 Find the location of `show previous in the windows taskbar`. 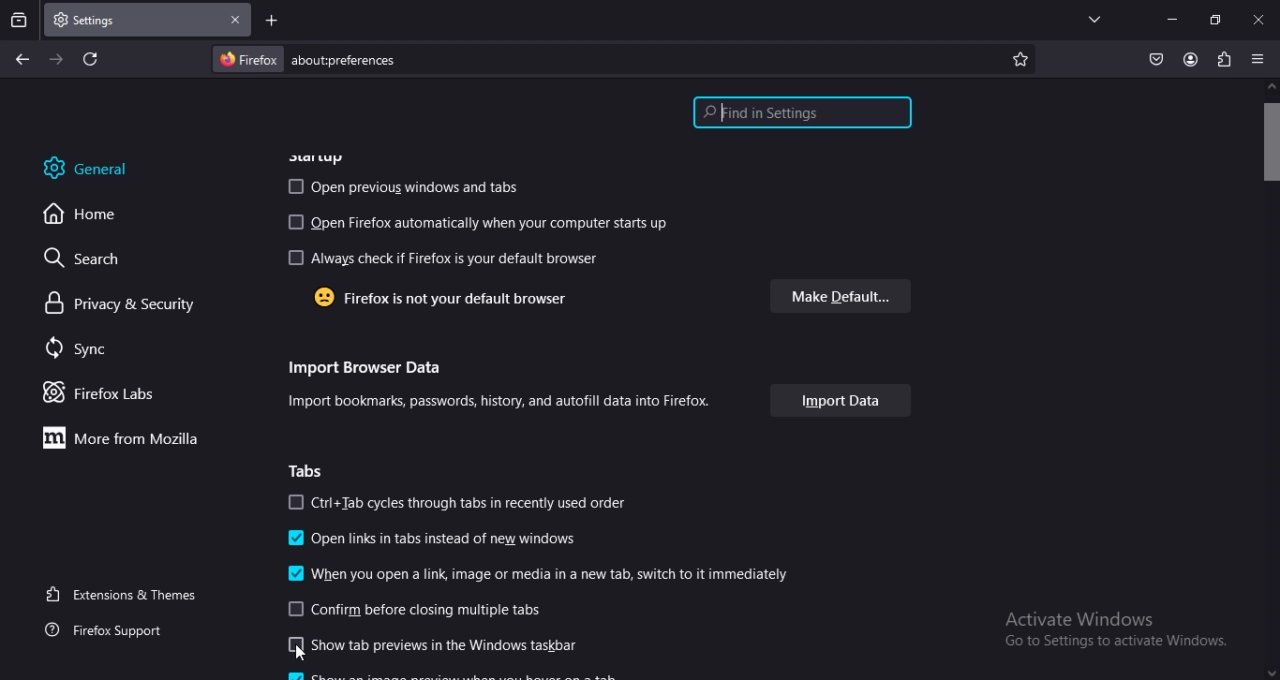

show previous in the windows taskbar is located at coordinates (434, 643).